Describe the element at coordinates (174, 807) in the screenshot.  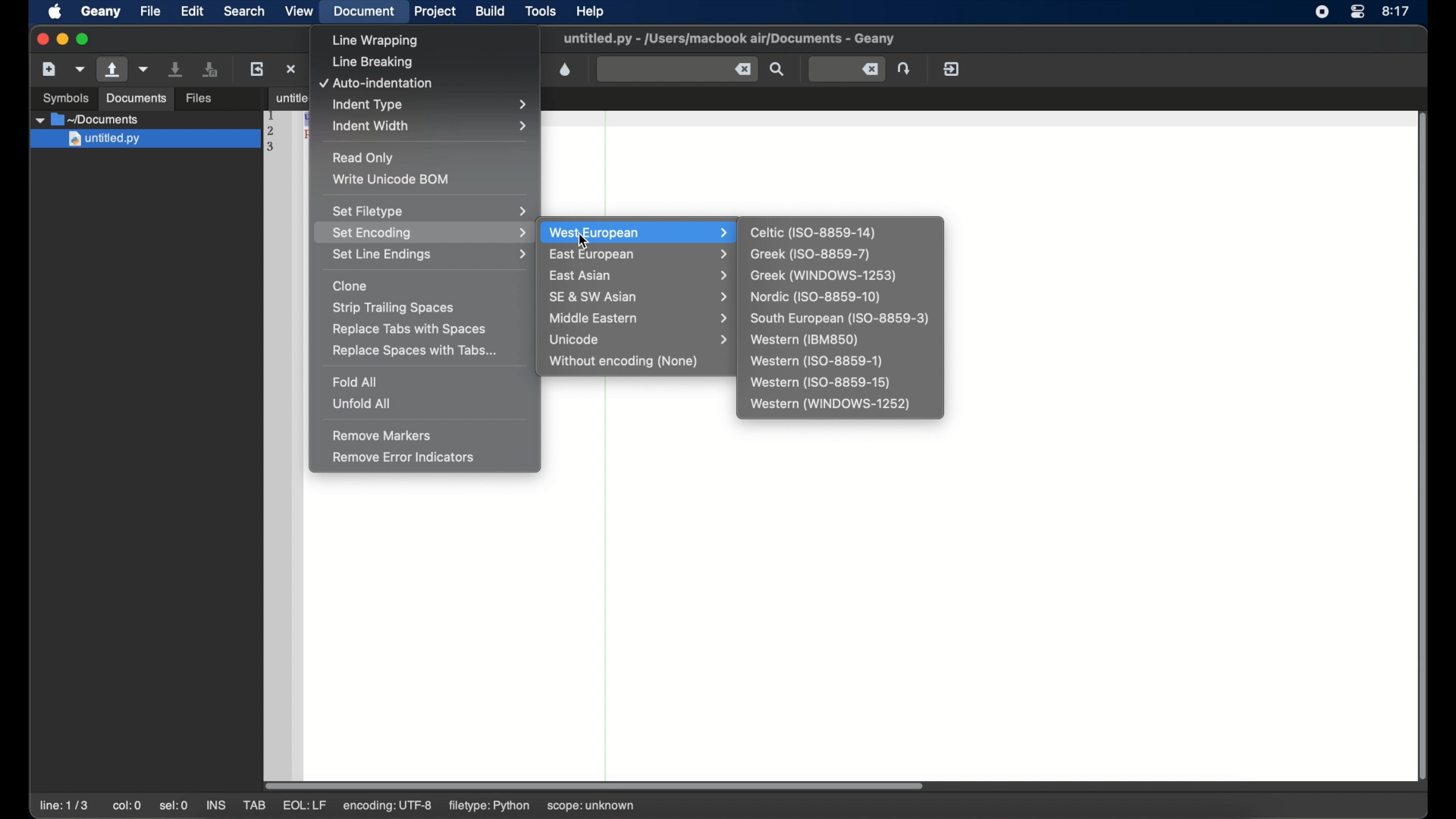
I see `sel:0` at that location.